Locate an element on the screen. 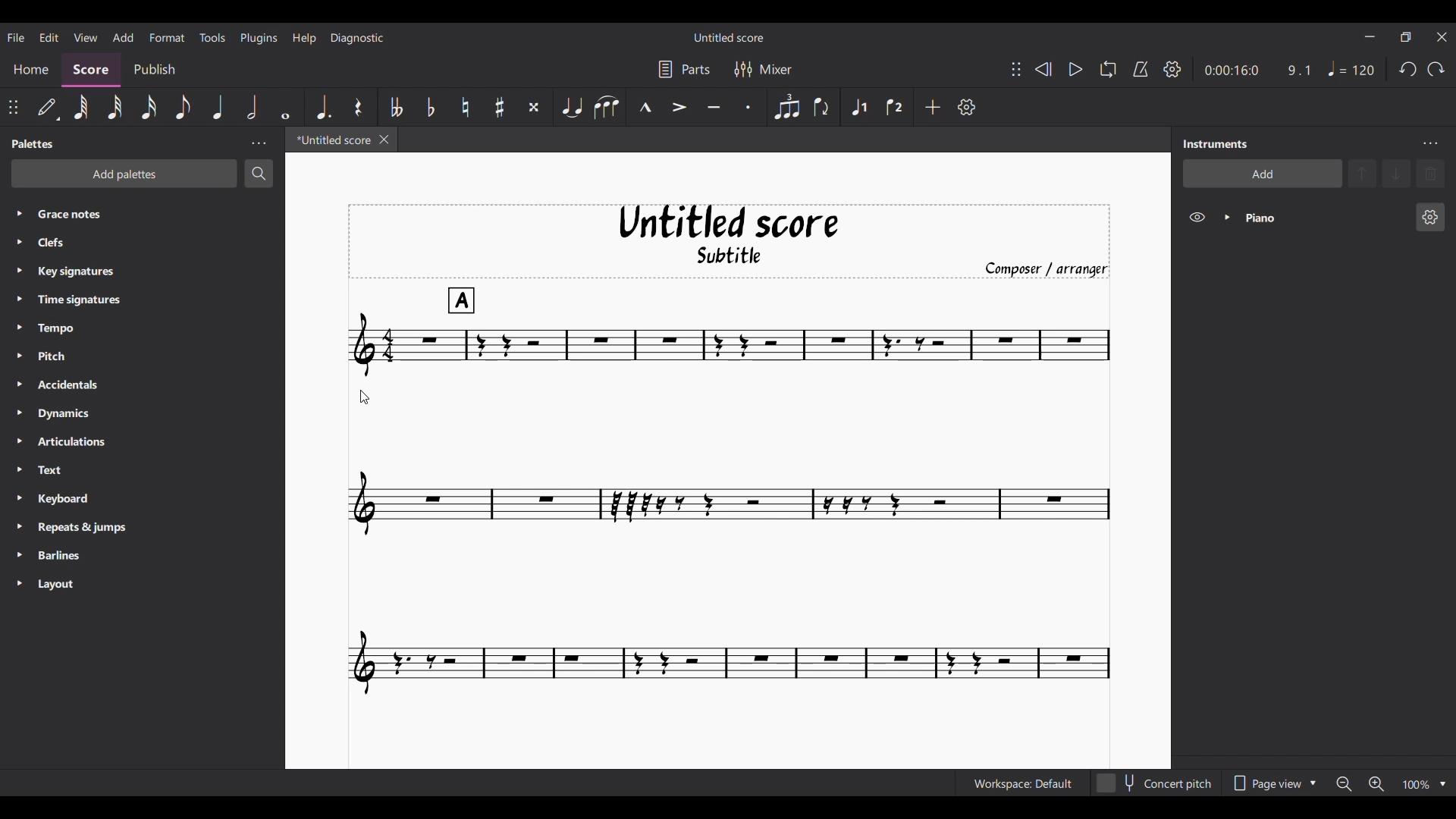  64th note is located at coordinates (81, 107).